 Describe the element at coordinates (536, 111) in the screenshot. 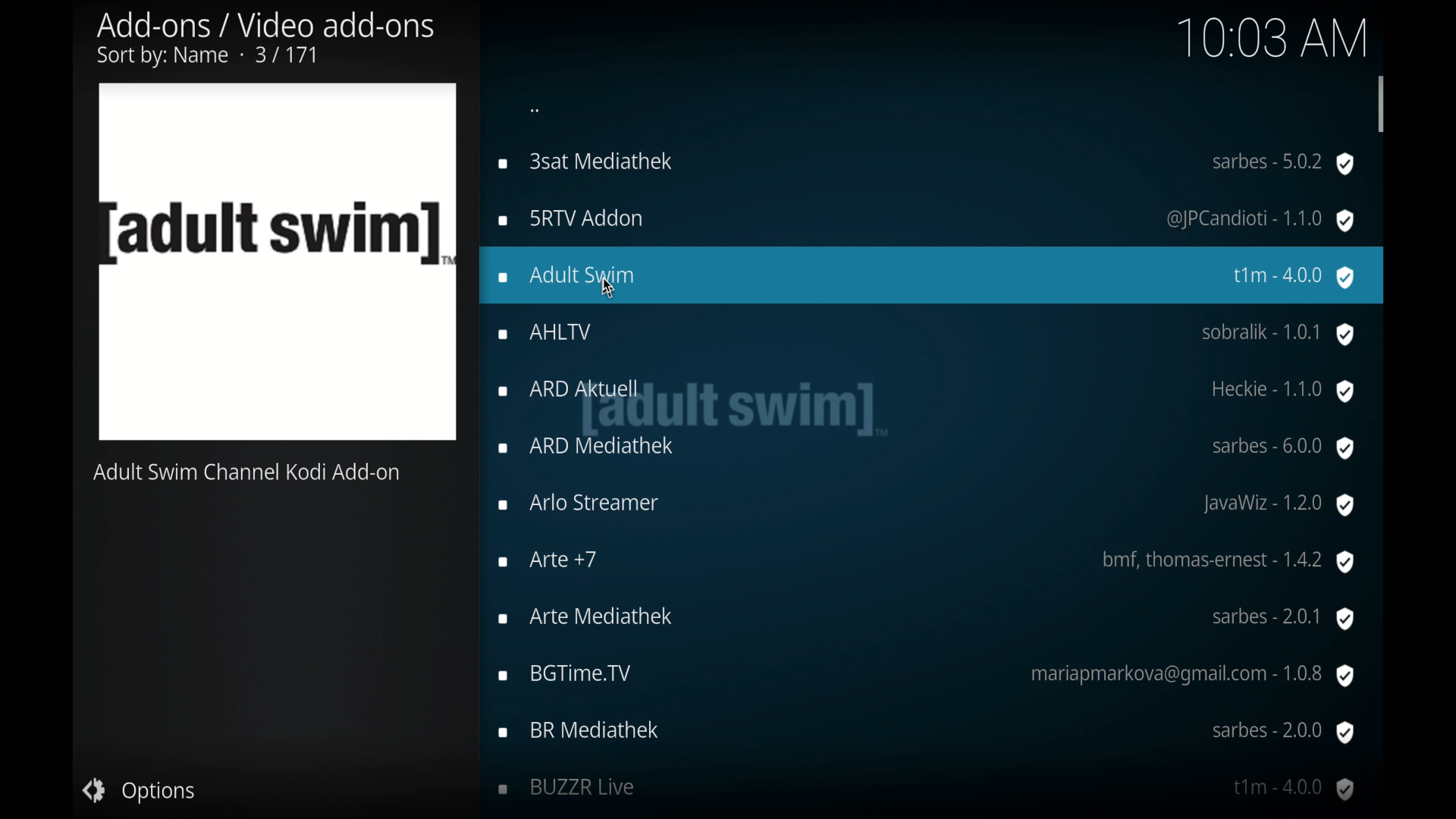

I see `dot icon` at that location.